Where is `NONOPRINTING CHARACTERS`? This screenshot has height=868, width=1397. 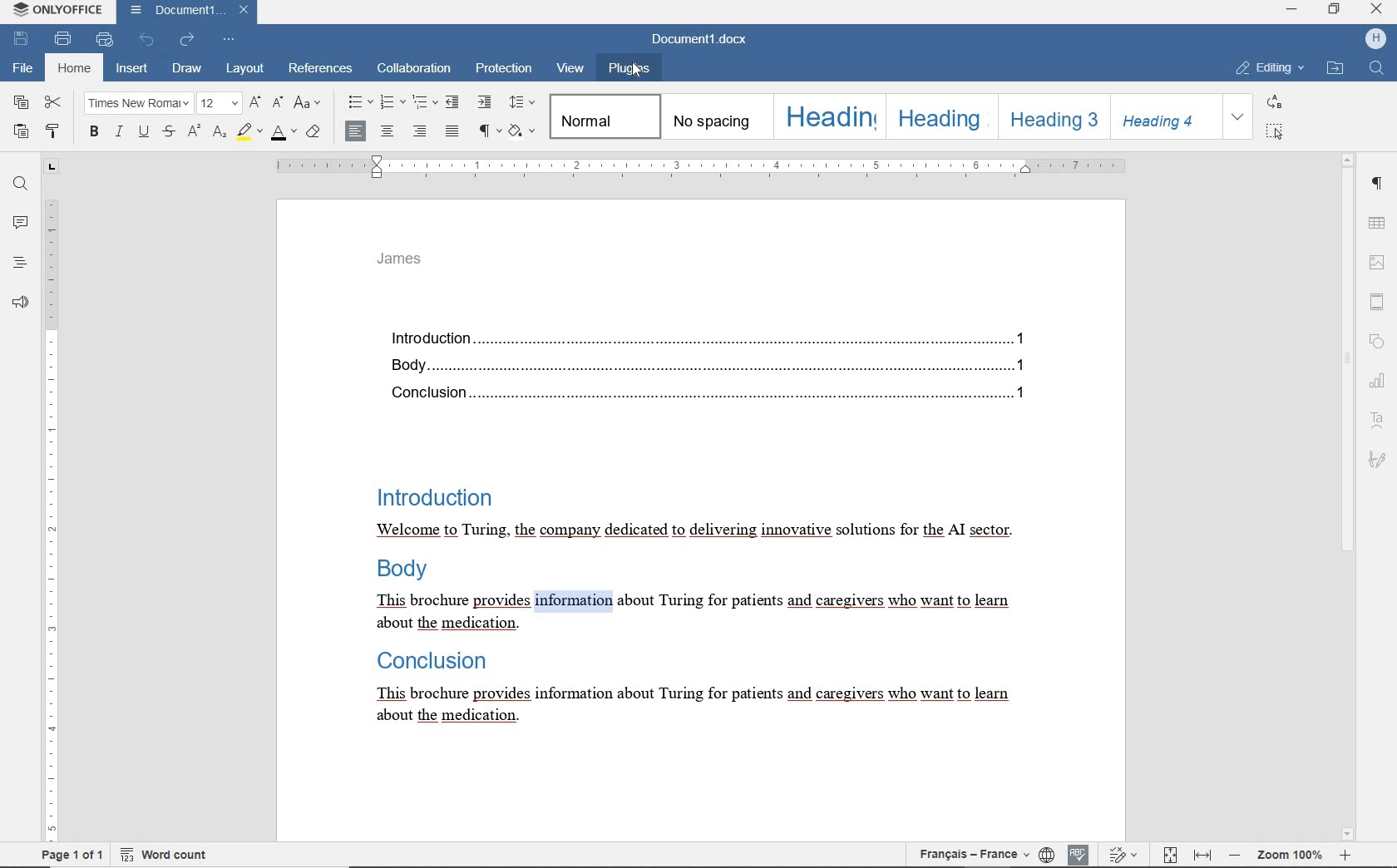 NONOPRINTING CHARACTERS is located at coordinates (491, 132).